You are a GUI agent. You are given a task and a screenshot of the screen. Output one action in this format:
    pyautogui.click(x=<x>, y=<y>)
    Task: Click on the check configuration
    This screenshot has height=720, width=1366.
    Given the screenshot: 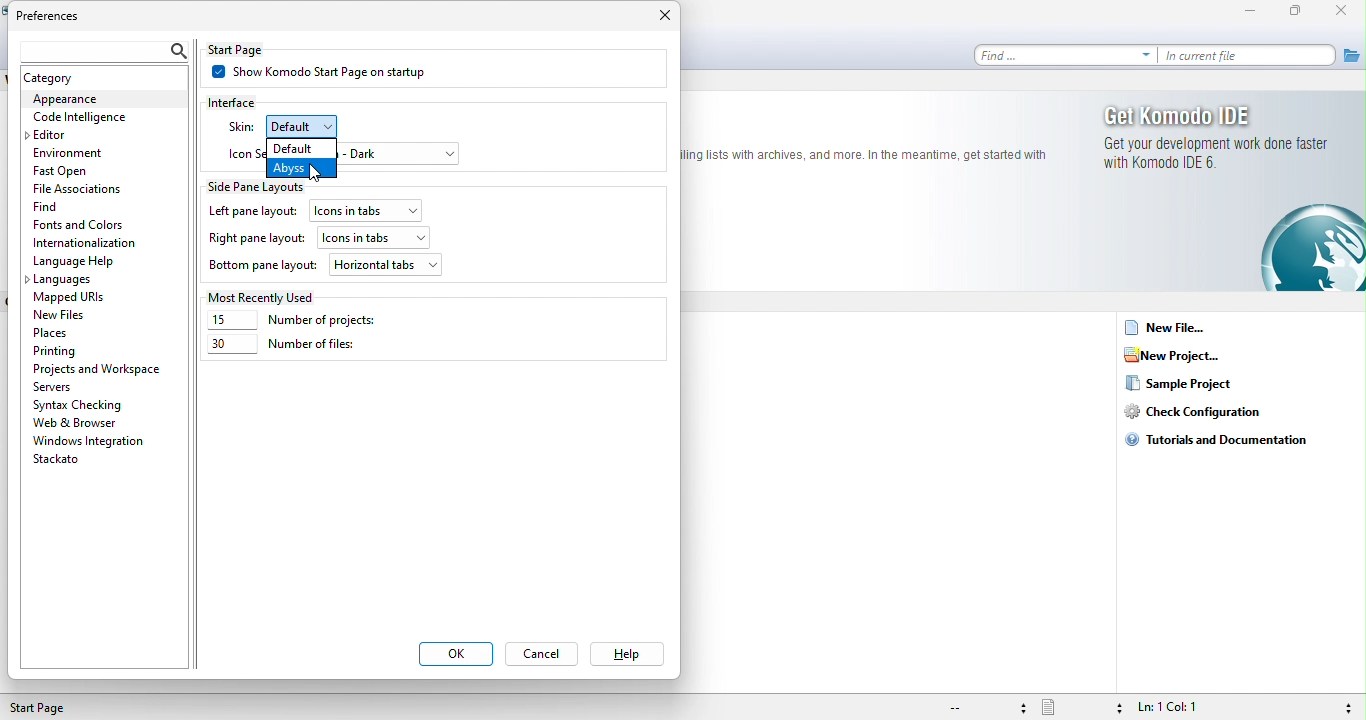 What is the action you would take?
    pyautogui.click(x=1202, y=413)
    